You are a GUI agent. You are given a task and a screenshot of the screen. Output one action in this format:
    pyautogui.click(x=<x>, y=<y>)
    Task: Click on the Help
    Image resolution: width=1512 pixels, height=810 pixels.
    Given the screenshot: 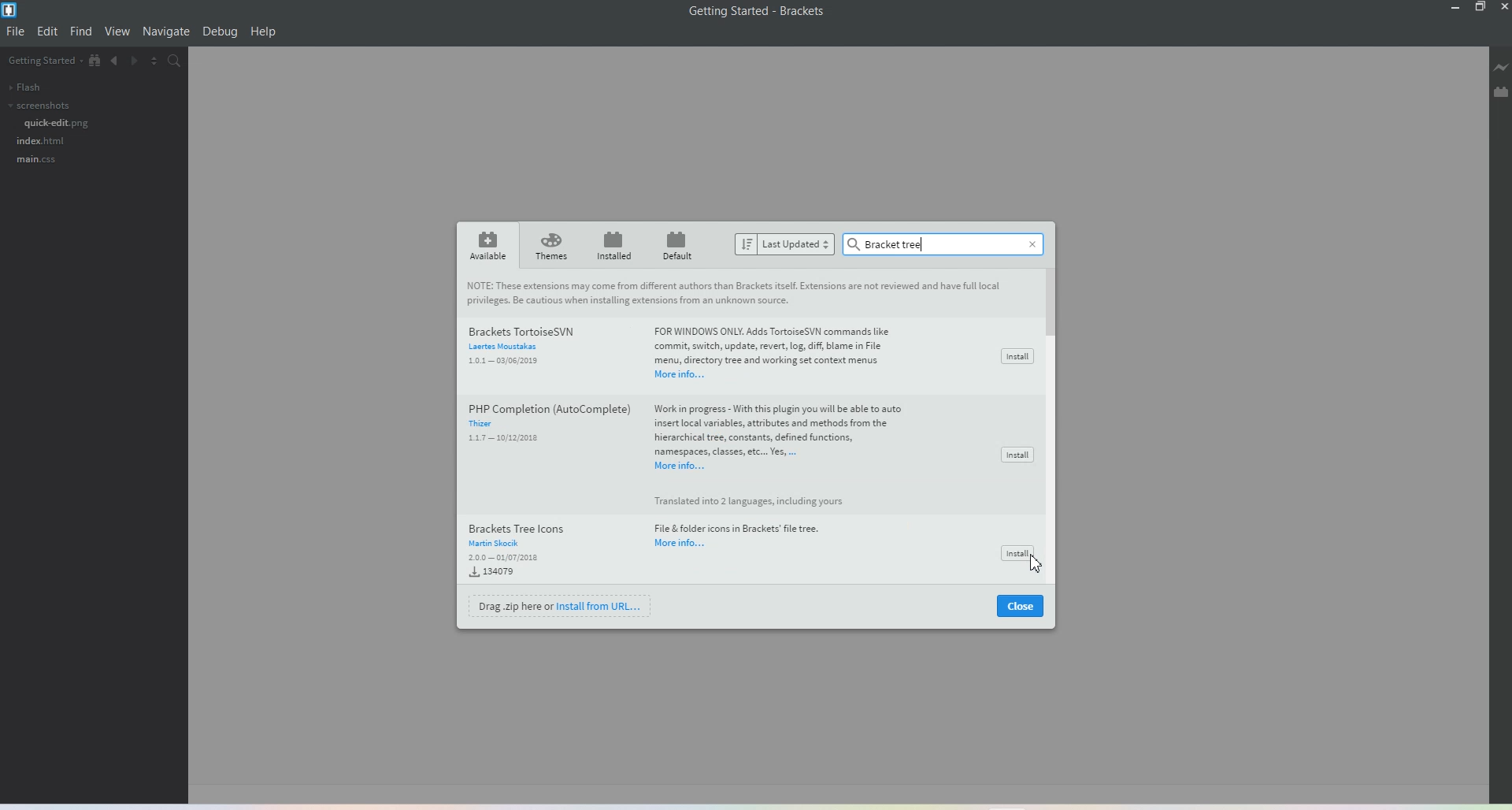 What is the action you would take?
    pyautogui.click(x=264, y=32)
    